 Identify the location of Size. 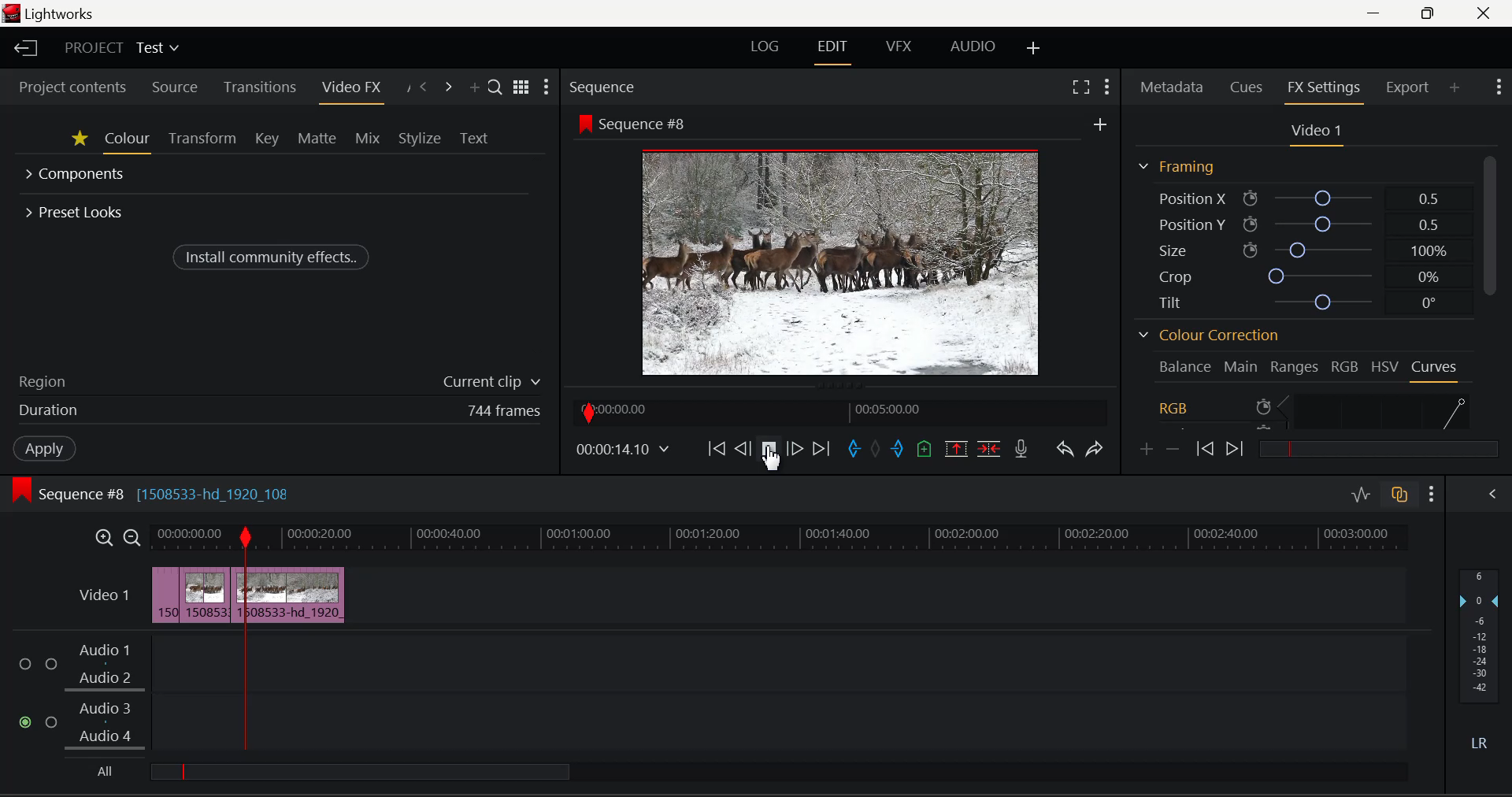
(1299, 250).